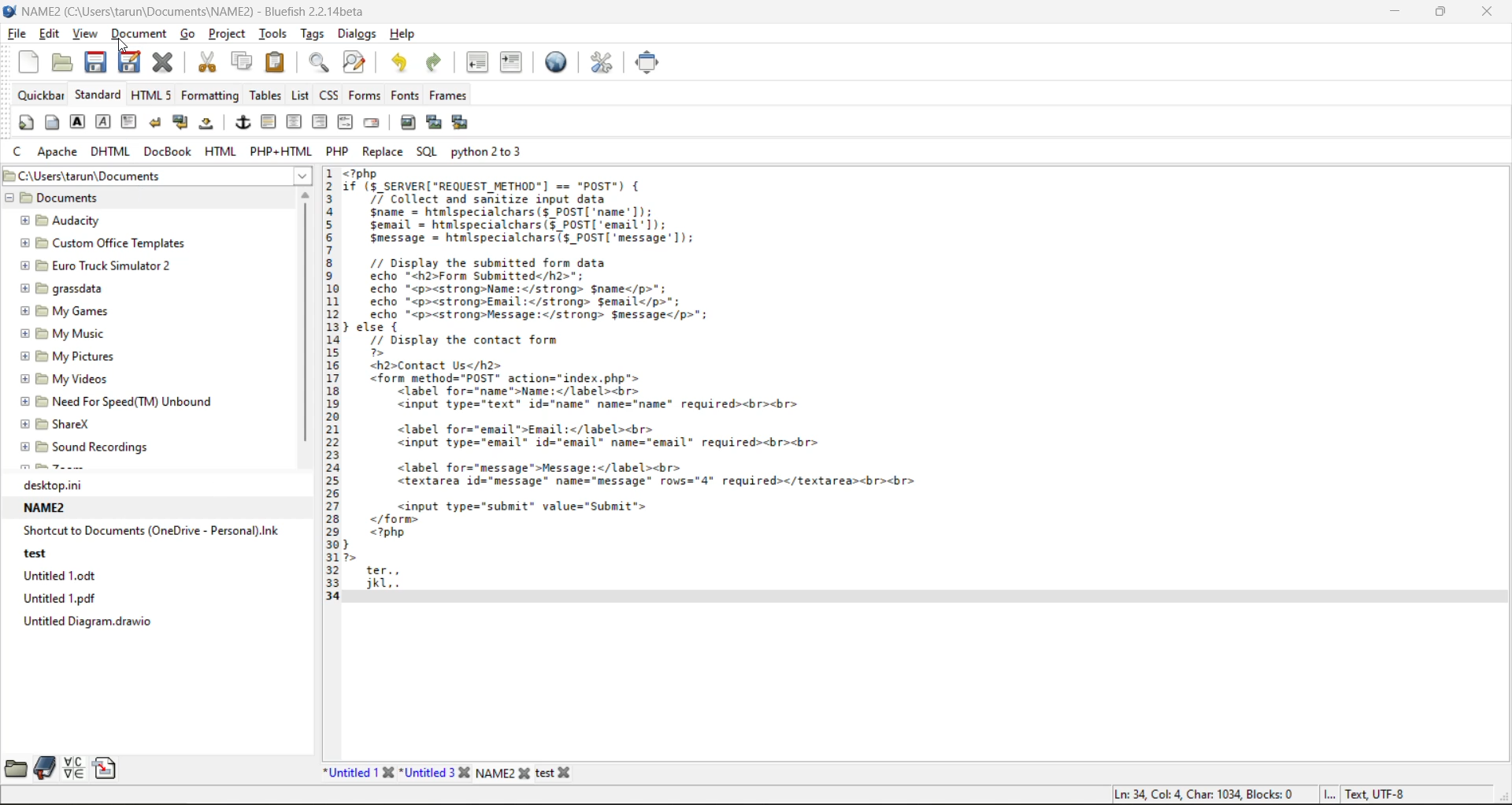 Image resolution: width=1512 pixels, height=805 pixels. I want to click on forms, so click(365, 95).